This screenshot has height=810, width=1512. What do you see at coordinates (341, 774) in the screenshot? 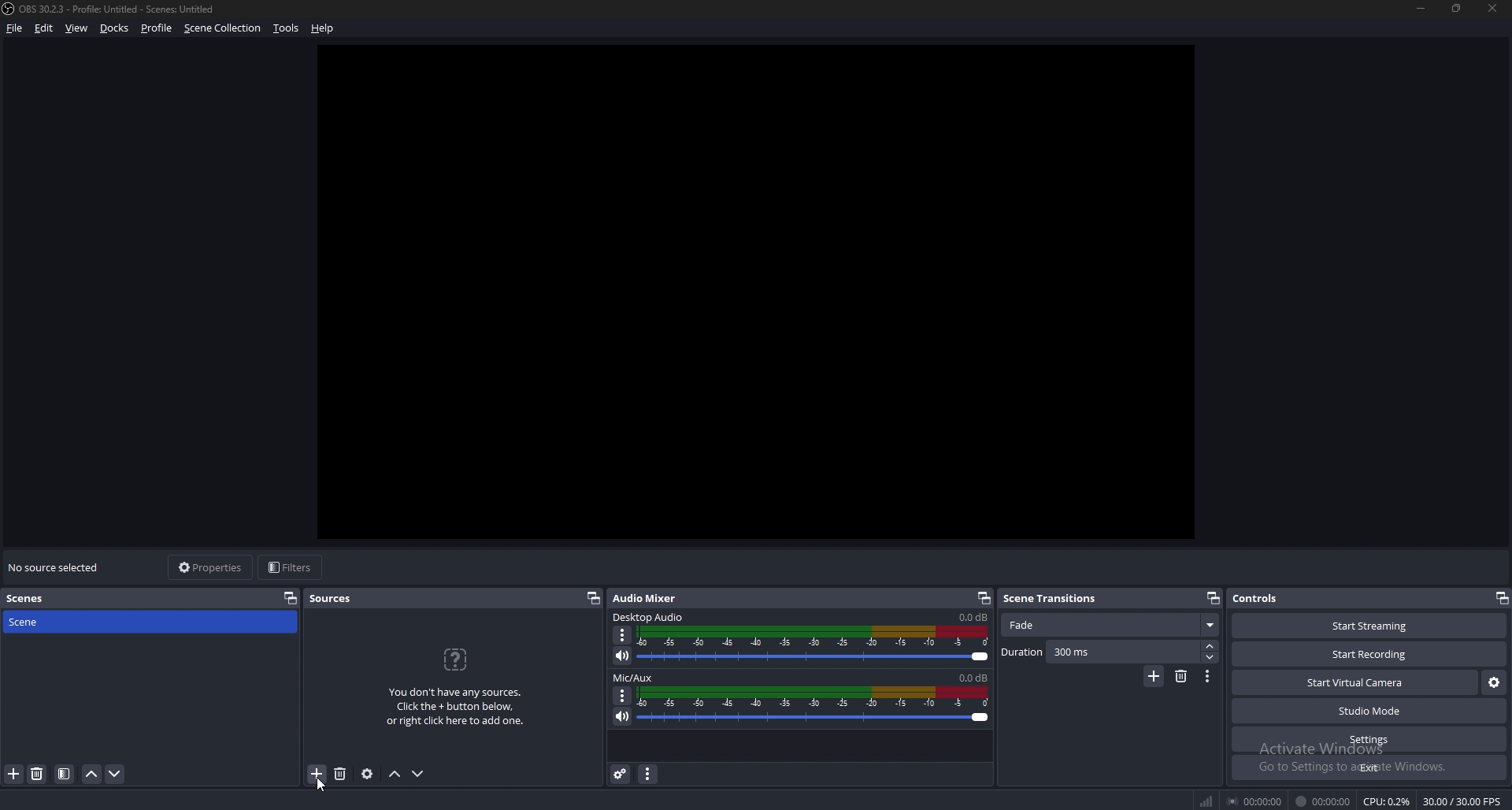
I see `Delete sources` at bounding box center [341, 774].